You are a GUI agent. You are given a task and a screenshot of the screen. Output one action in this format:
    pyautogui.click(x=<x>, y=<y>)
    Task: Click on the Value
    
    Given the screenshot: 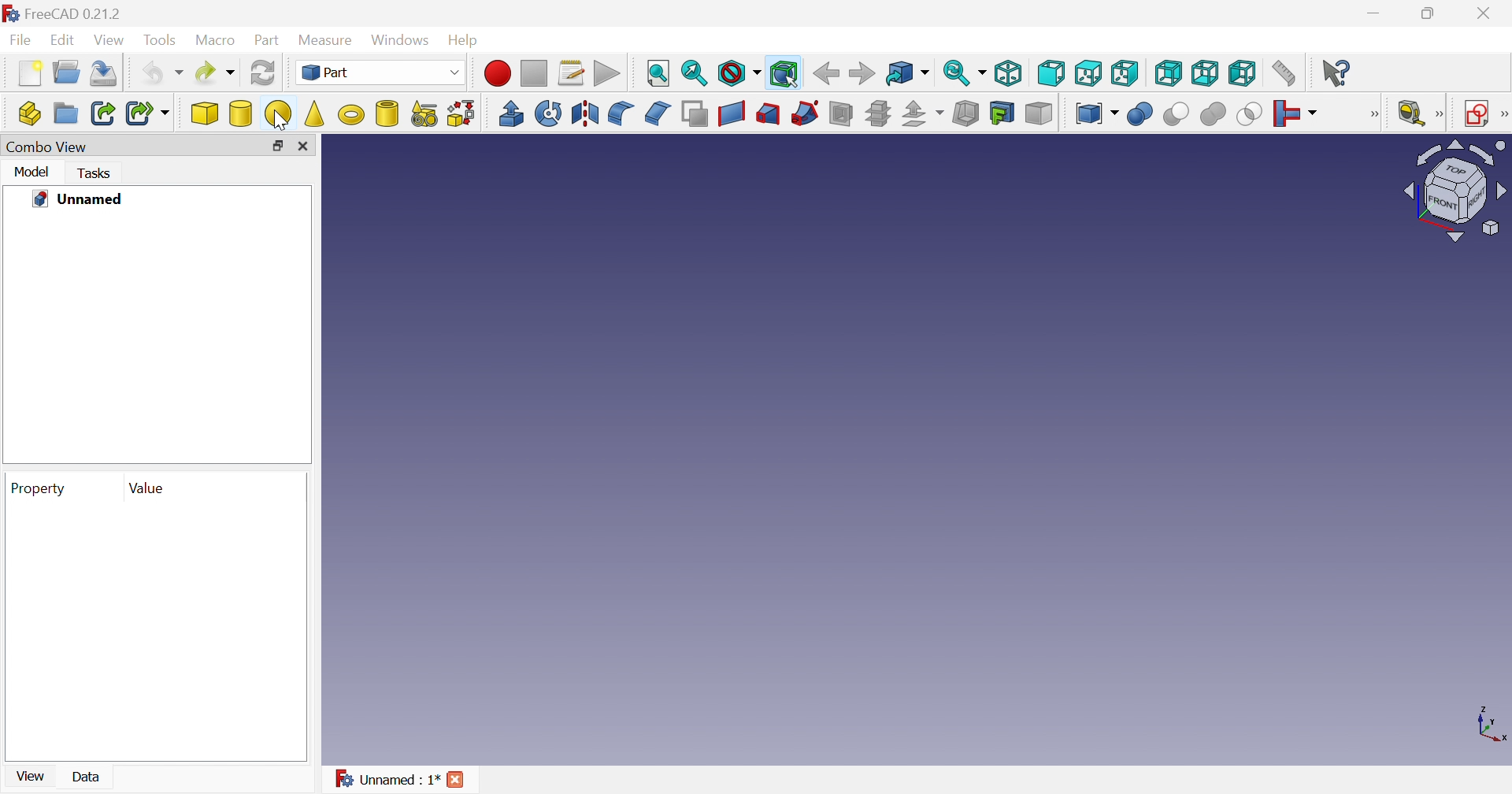 What is the action you would take?
    pyautogui.click(x=145, y=486)
    